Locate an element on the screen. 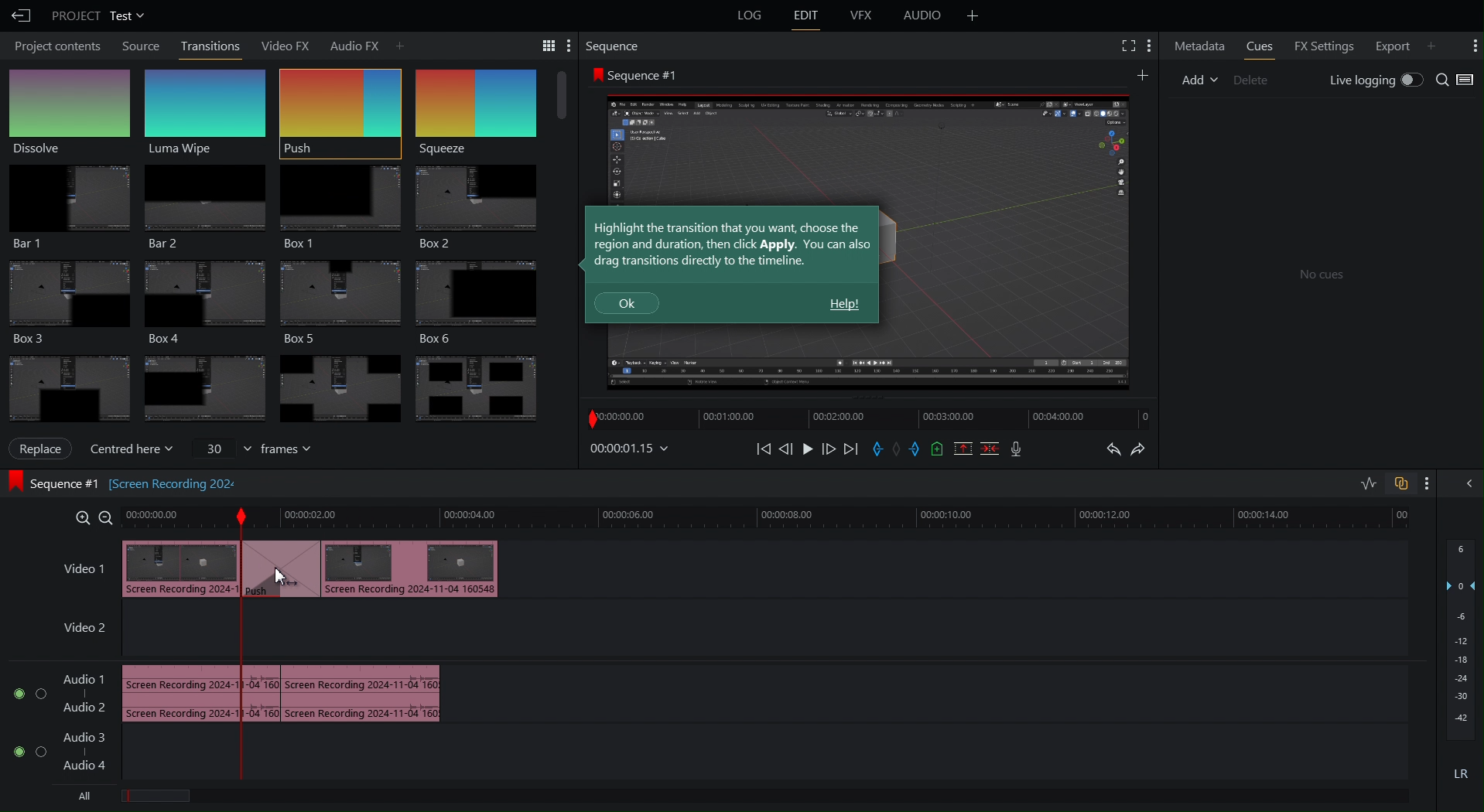 The image size is (1484, 812). Remove Marker is located at coordinates (899, 449).